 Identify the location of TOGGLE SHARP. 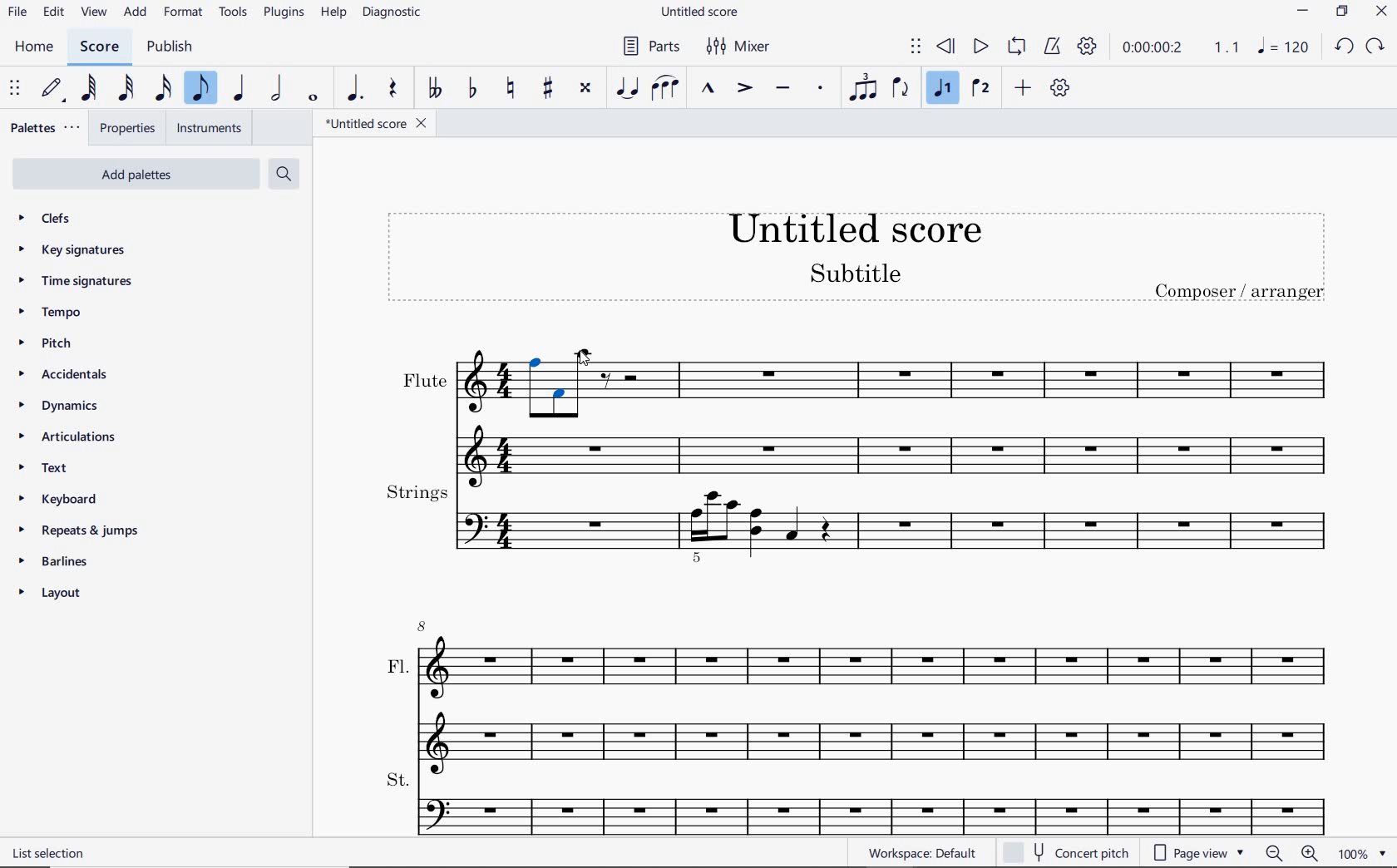
(548, 87).